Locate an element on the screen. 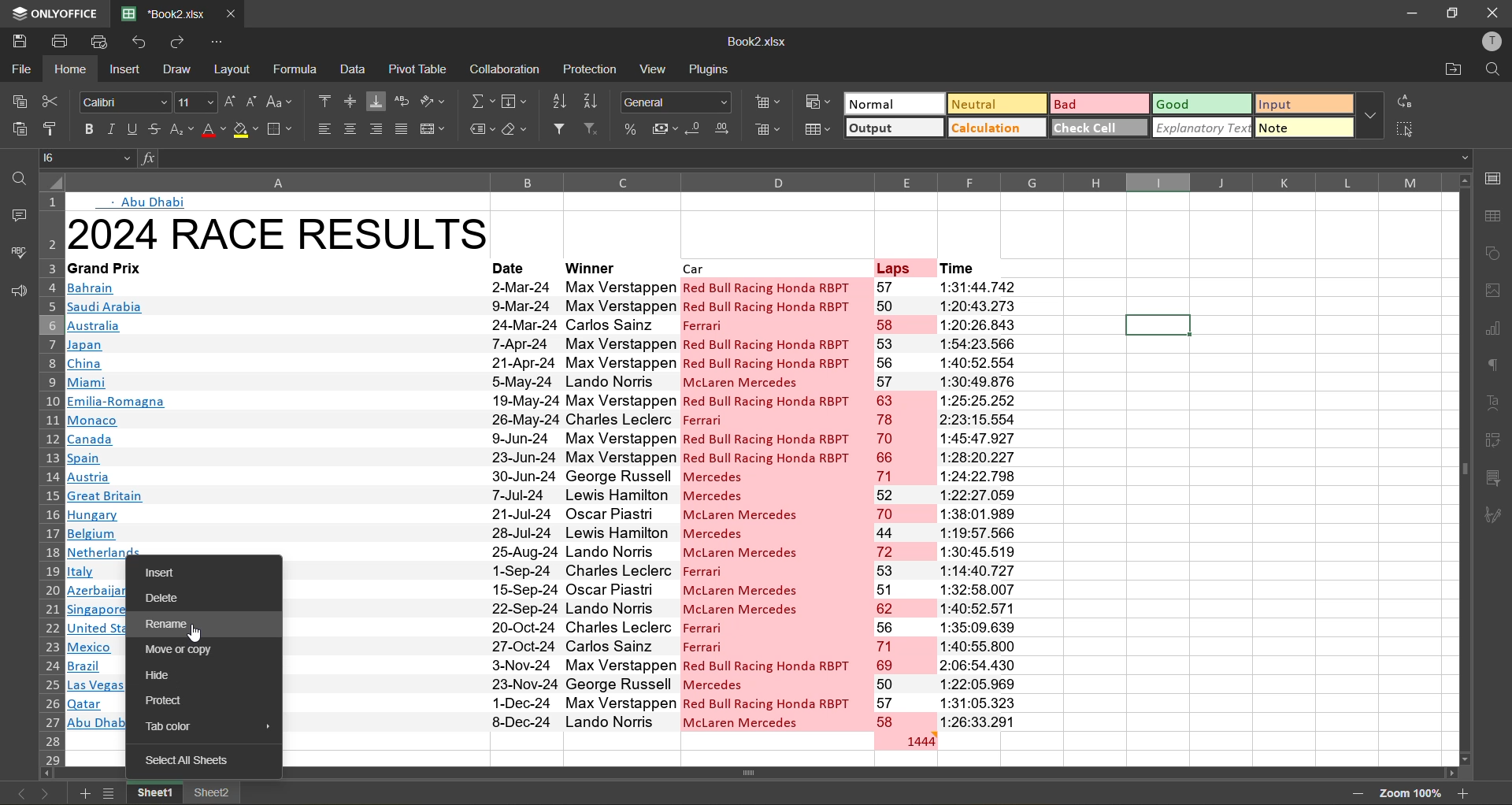  summation is located at coordinates (484, 100).